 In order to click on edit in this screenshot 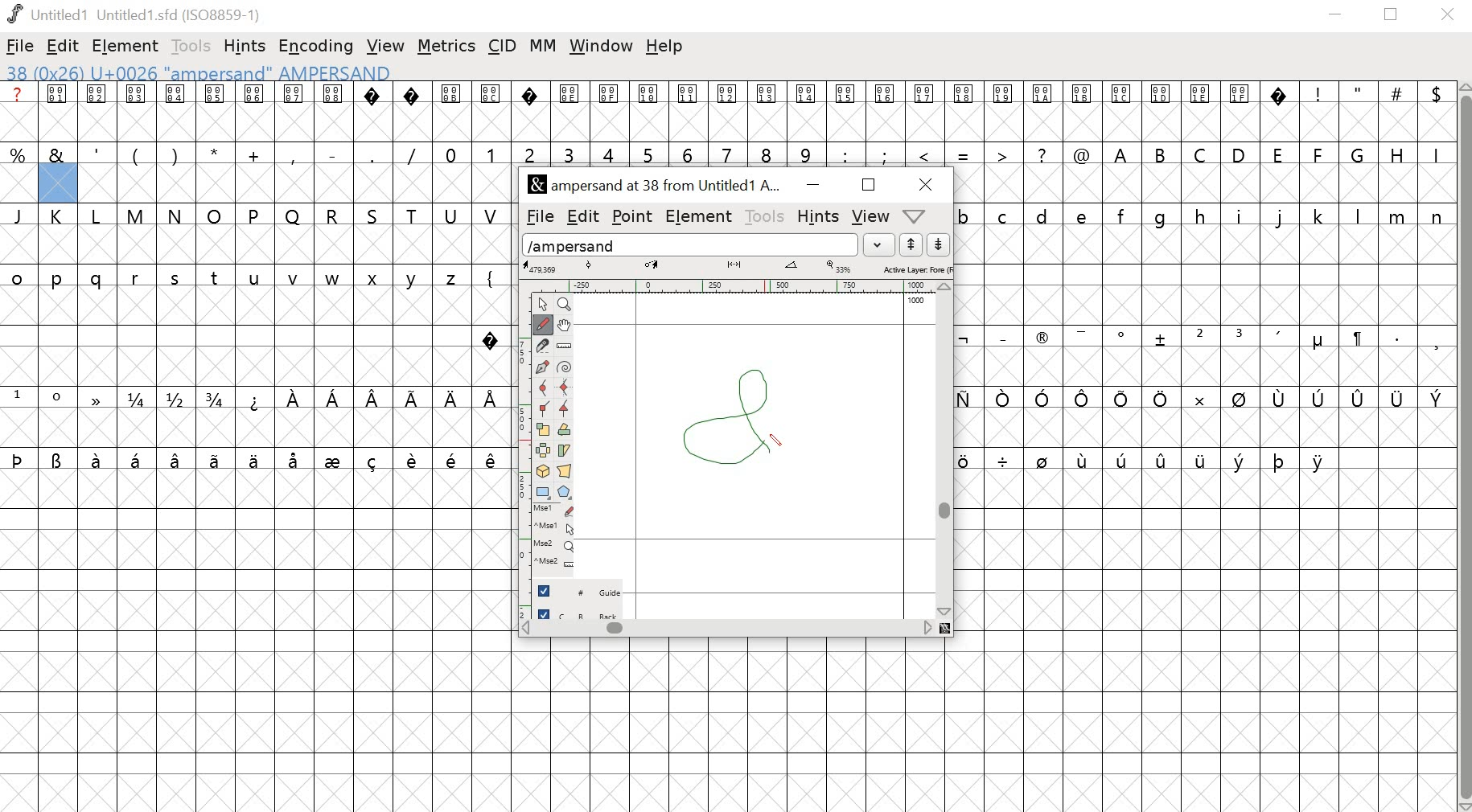, I will do `click(582, 215)`.